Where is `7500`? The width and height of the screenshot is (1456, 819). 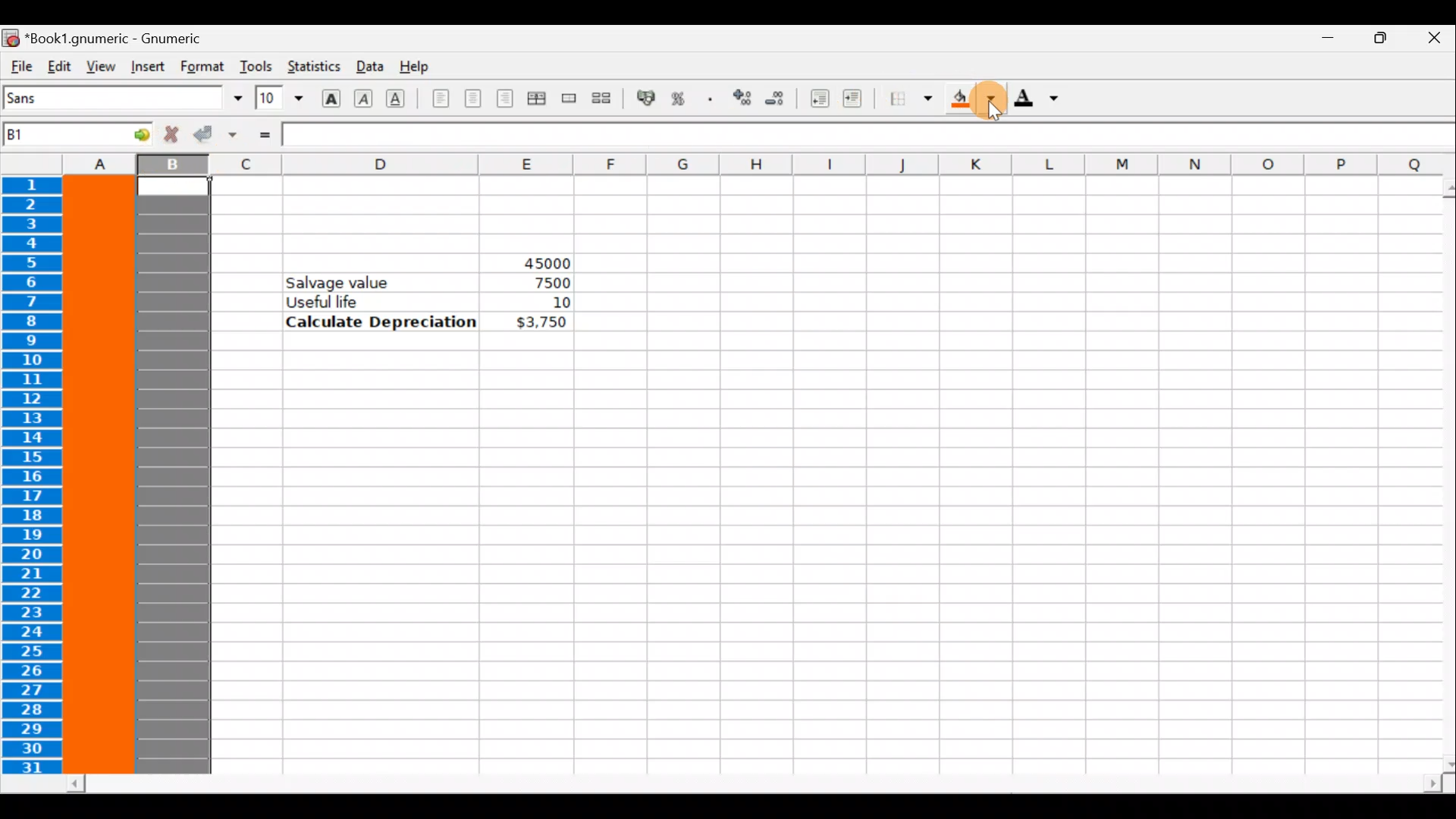
7500 is located at coordinates (548, 283).